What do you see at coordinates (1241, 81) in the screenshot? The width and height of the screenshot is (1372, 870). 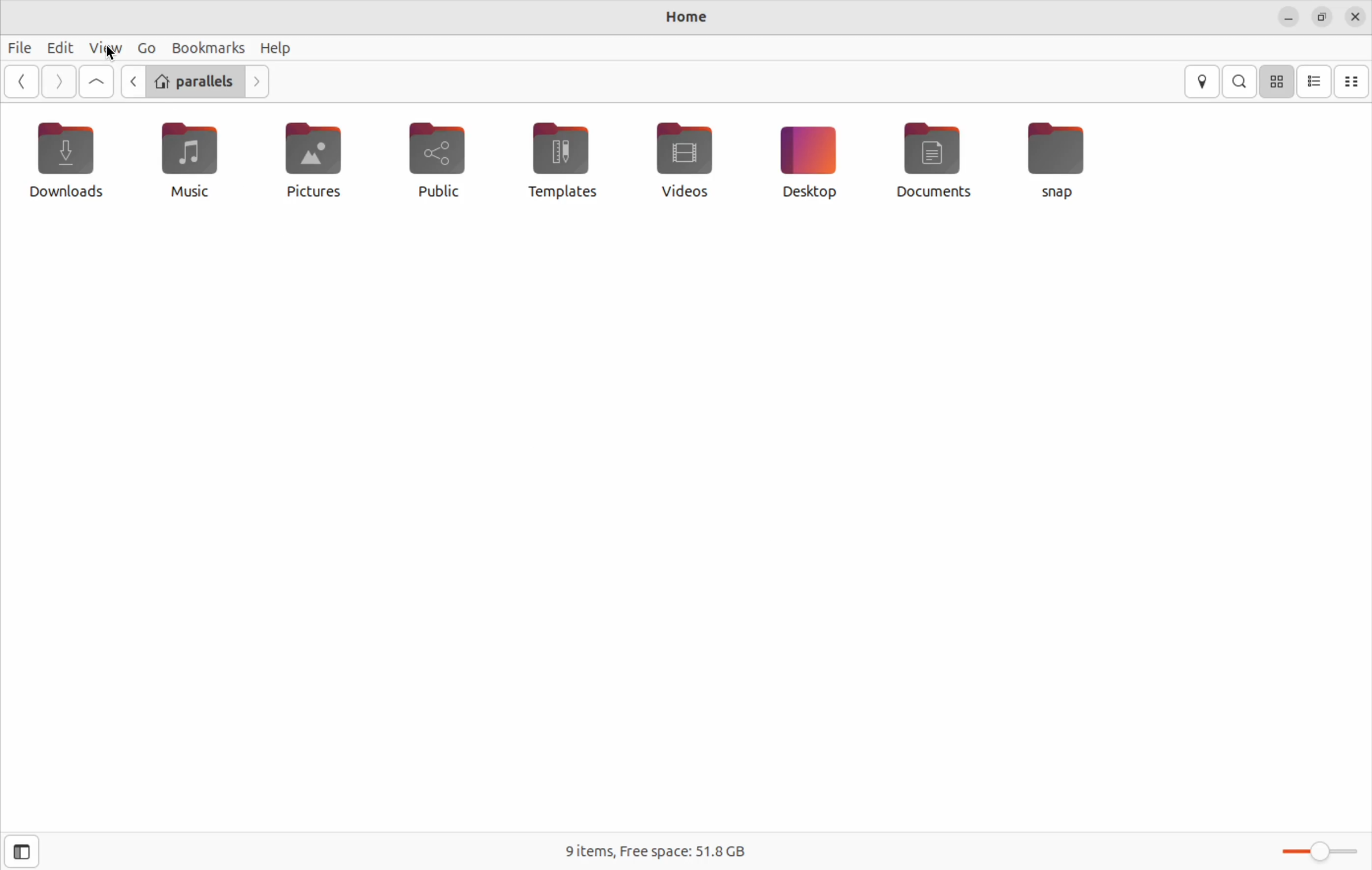 I see `search` at bounding box center [1241, 81].